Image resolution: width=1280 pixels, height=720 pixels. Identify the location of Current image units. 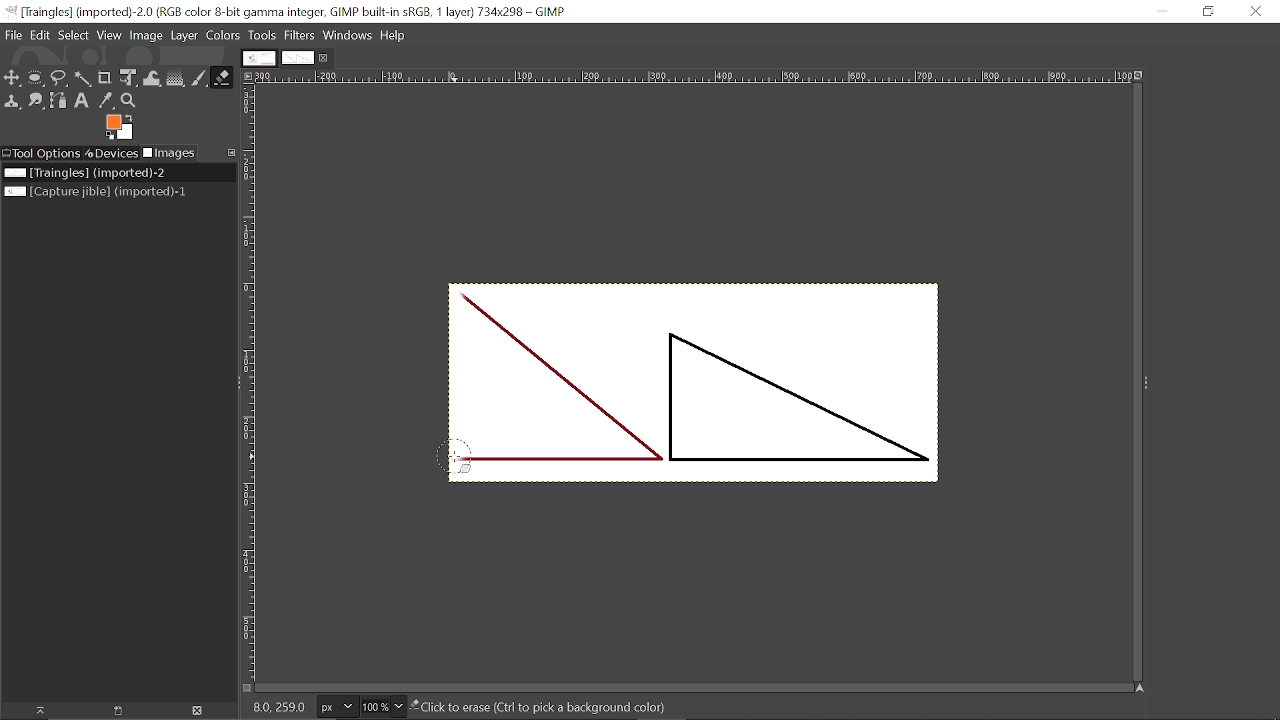
(336, 707).